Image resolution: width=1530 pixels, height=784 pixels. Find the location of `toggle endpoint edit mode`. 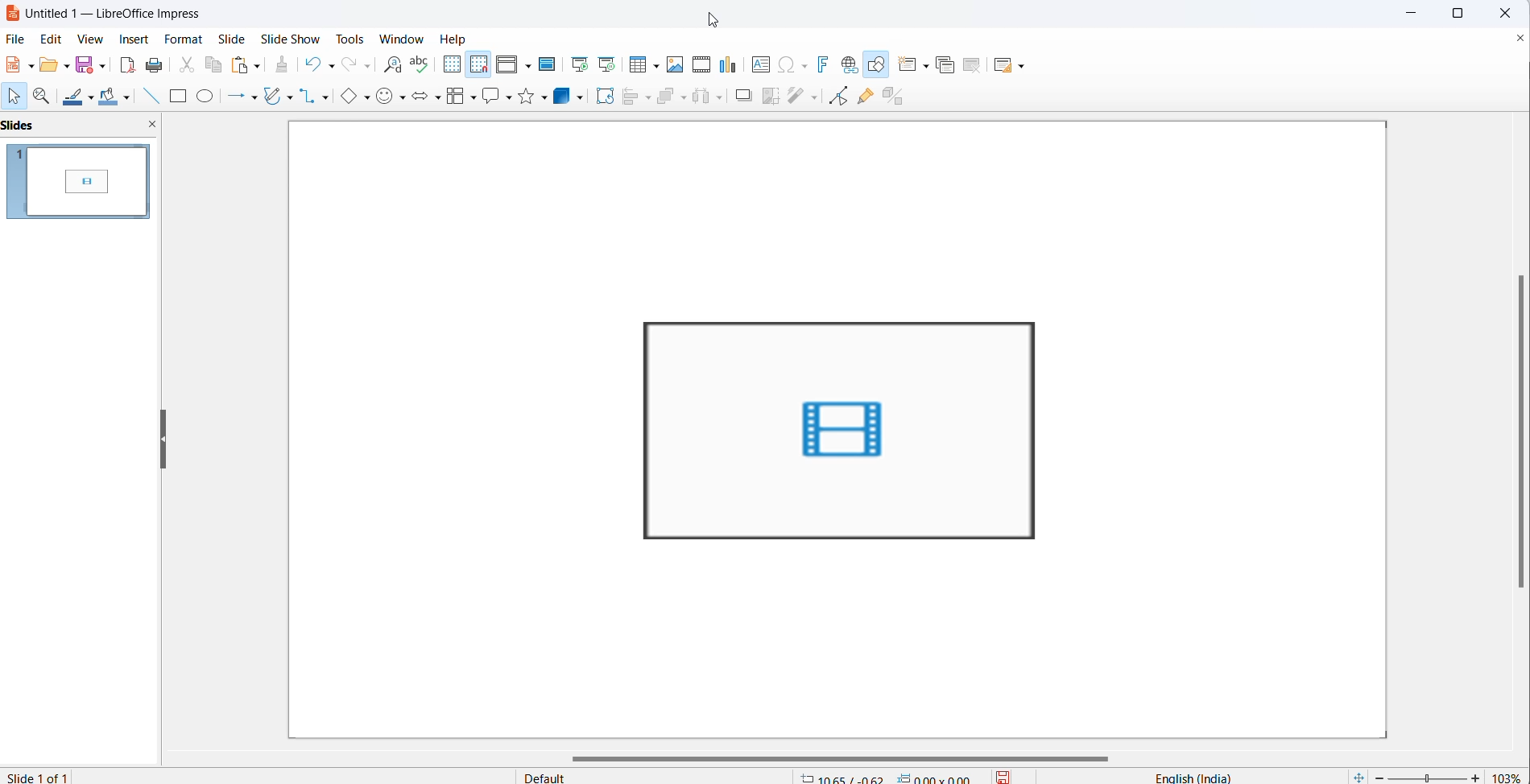

toggle endpoint edit mode is located at coordinates (843, 98).